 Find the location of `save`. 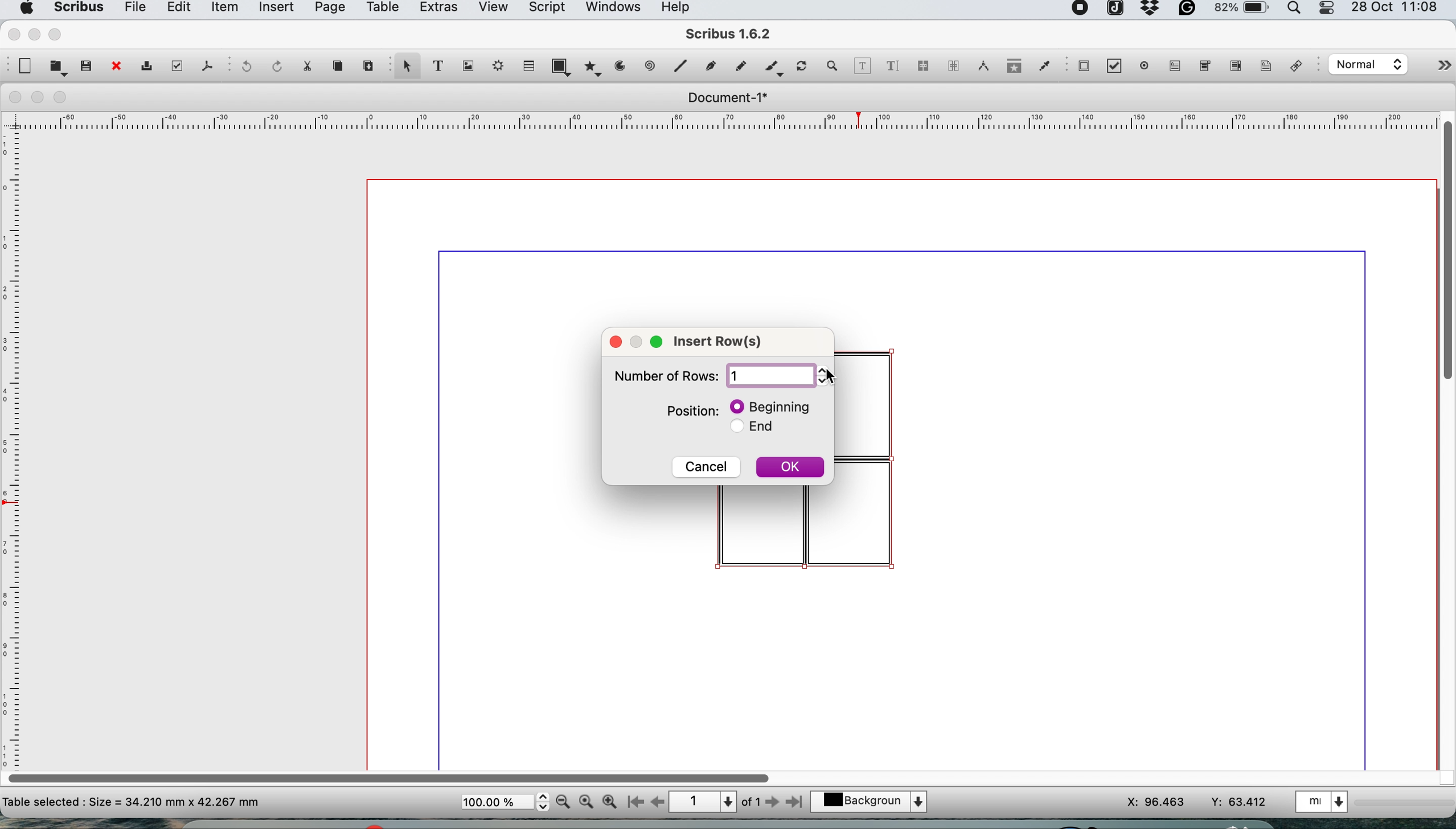

save is located at coordinates (87, 65).